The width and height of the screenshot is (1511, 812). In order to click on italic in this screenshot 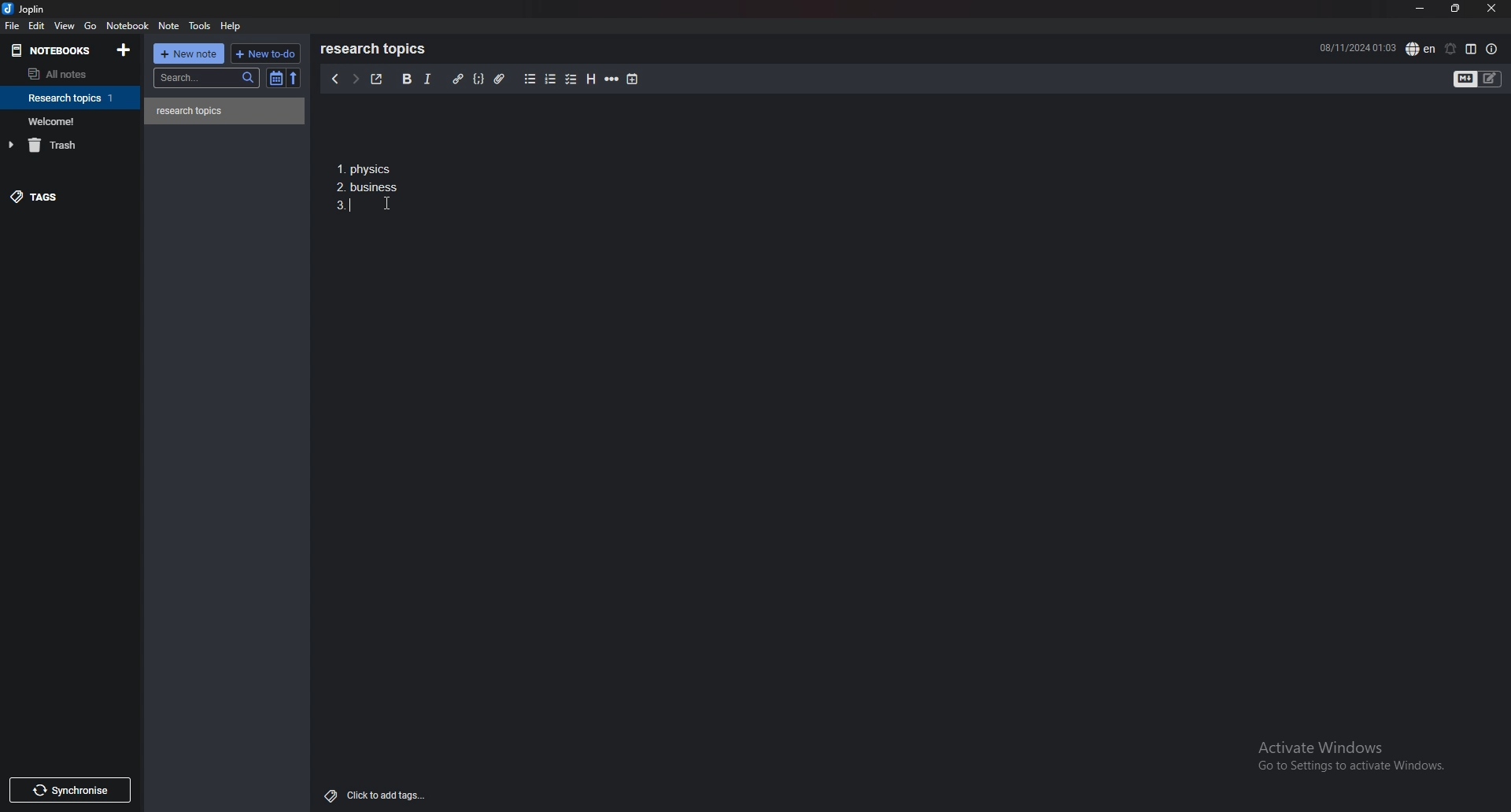, I will do `click(427, 79)`.